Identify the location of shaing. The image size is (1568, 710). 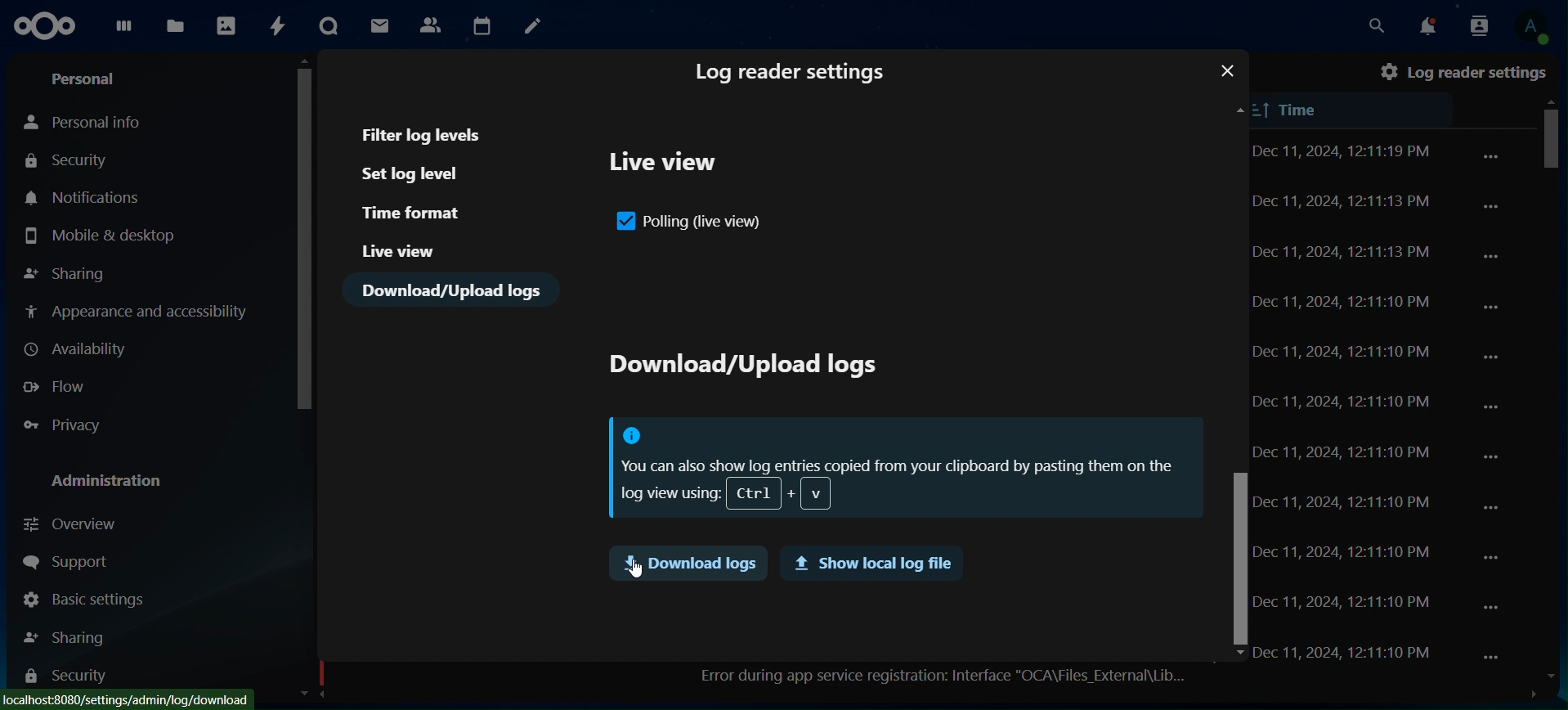
(67, 634).